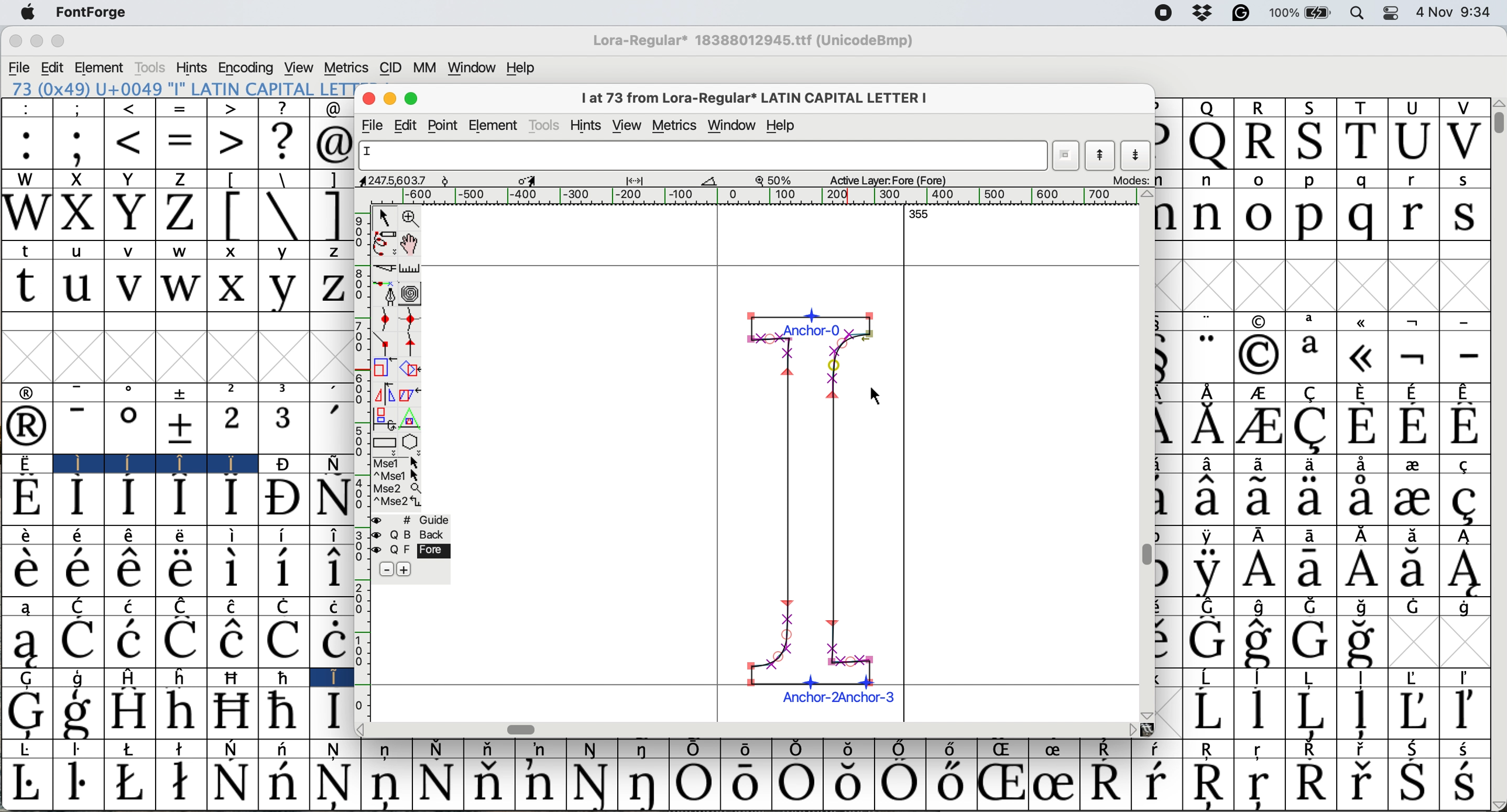  What do you see at coordinates (1308, 106) in the screenshot?
I see `S` at bounding box center [1308, 106].